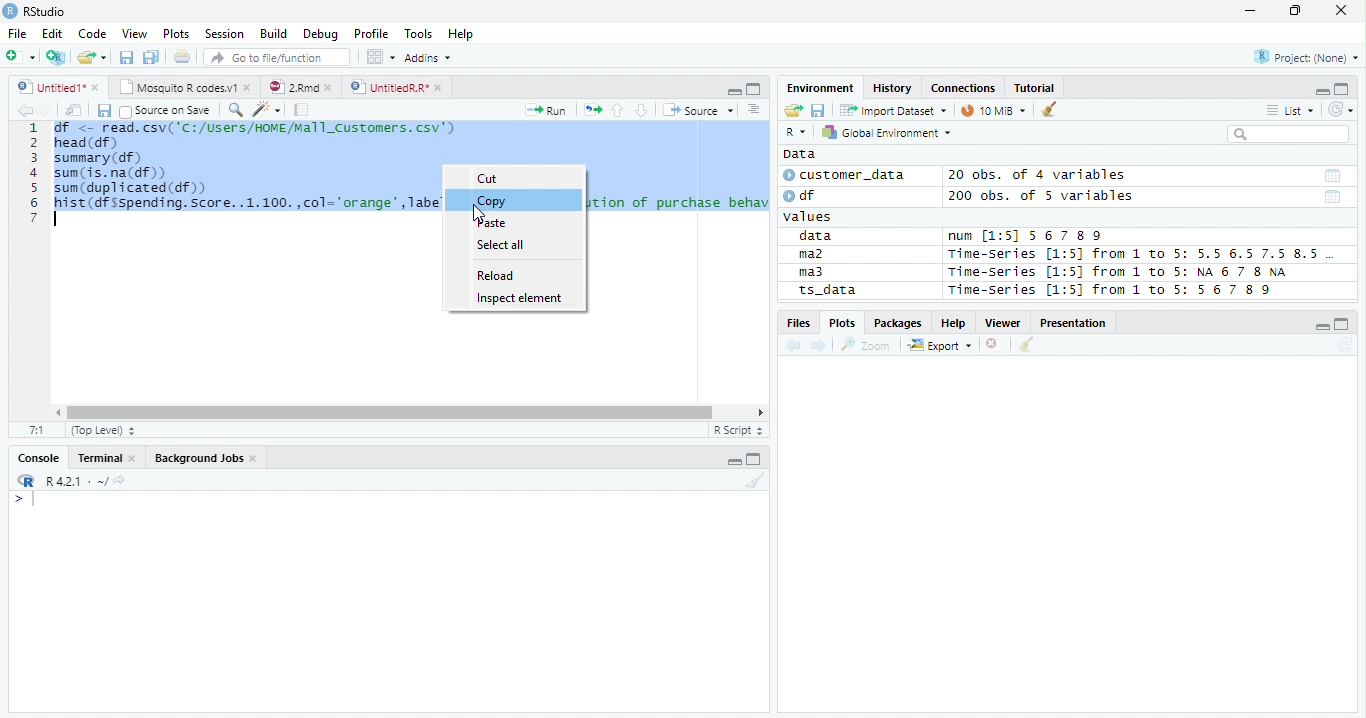 This screenshot has height=718, width=1366. I want to click on Previous, so click(22, 110).